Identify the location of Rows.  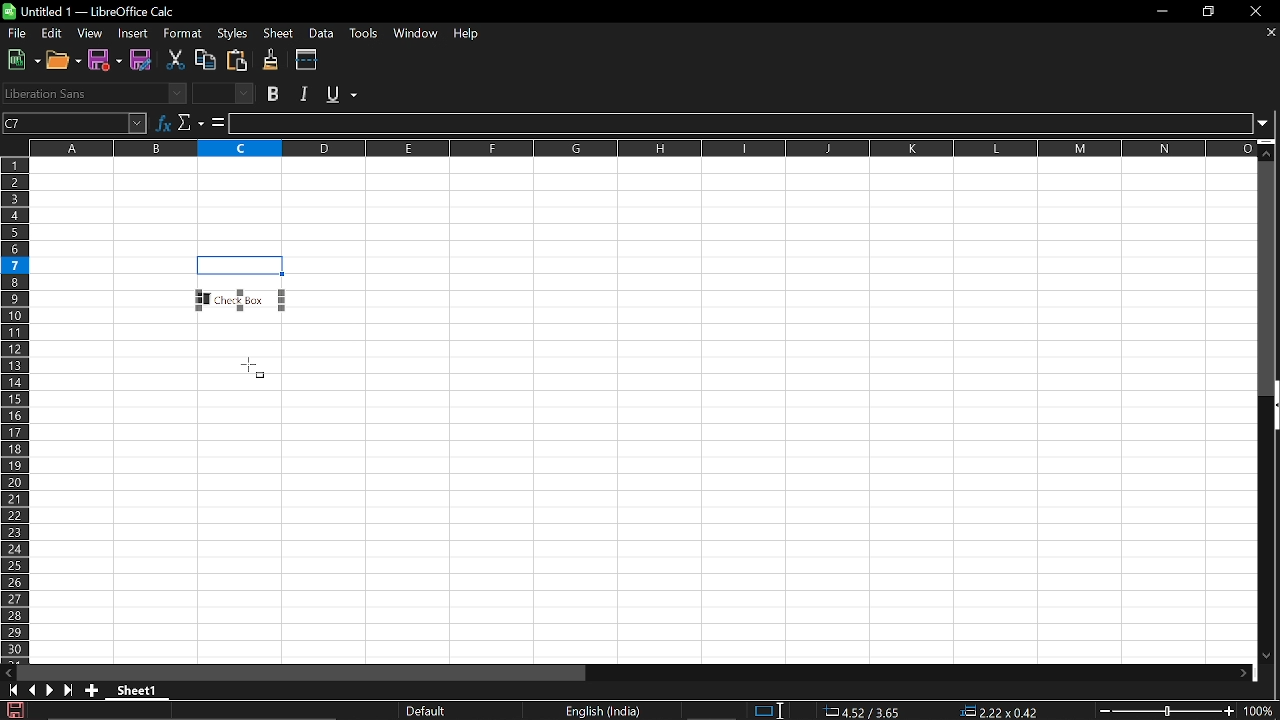
(16, 409).